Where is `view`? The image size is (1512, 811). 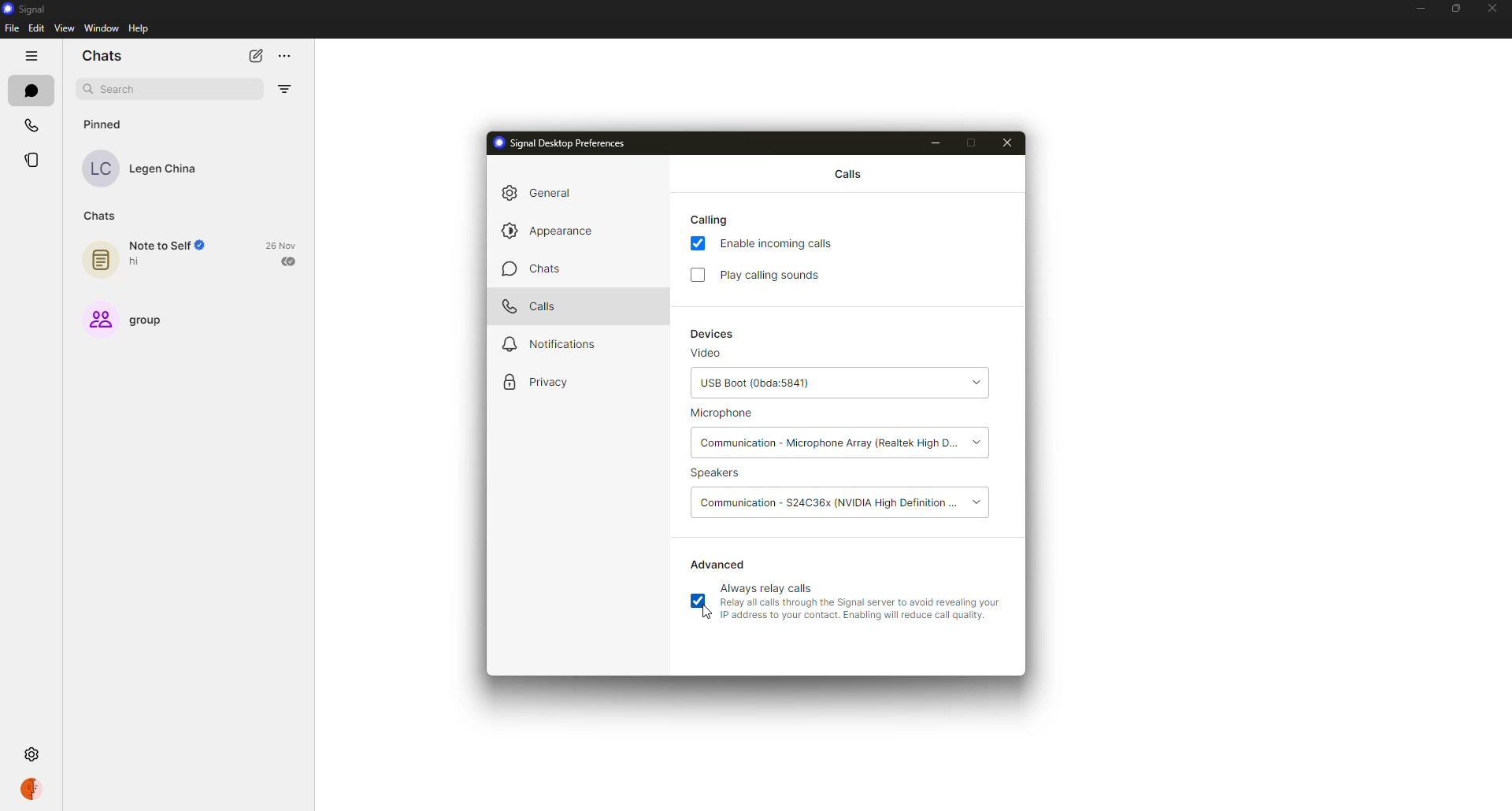
view is located at coordinates (67, 29).